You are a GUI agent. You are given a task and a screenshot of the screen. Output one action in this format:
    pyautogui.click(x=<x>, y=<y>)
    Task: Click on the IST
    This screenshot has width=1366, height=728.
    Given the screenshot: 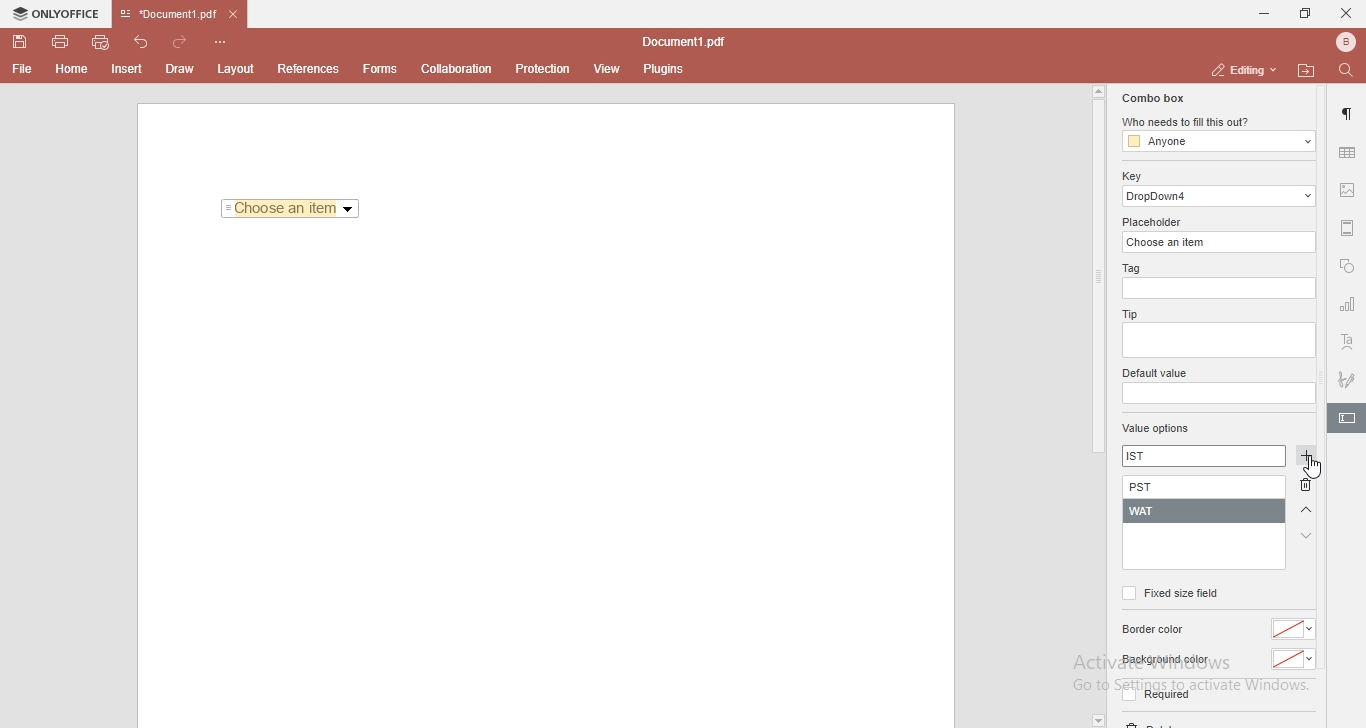 What is the action you would take?
    pyautogui.click(x=1141, y=455)
    